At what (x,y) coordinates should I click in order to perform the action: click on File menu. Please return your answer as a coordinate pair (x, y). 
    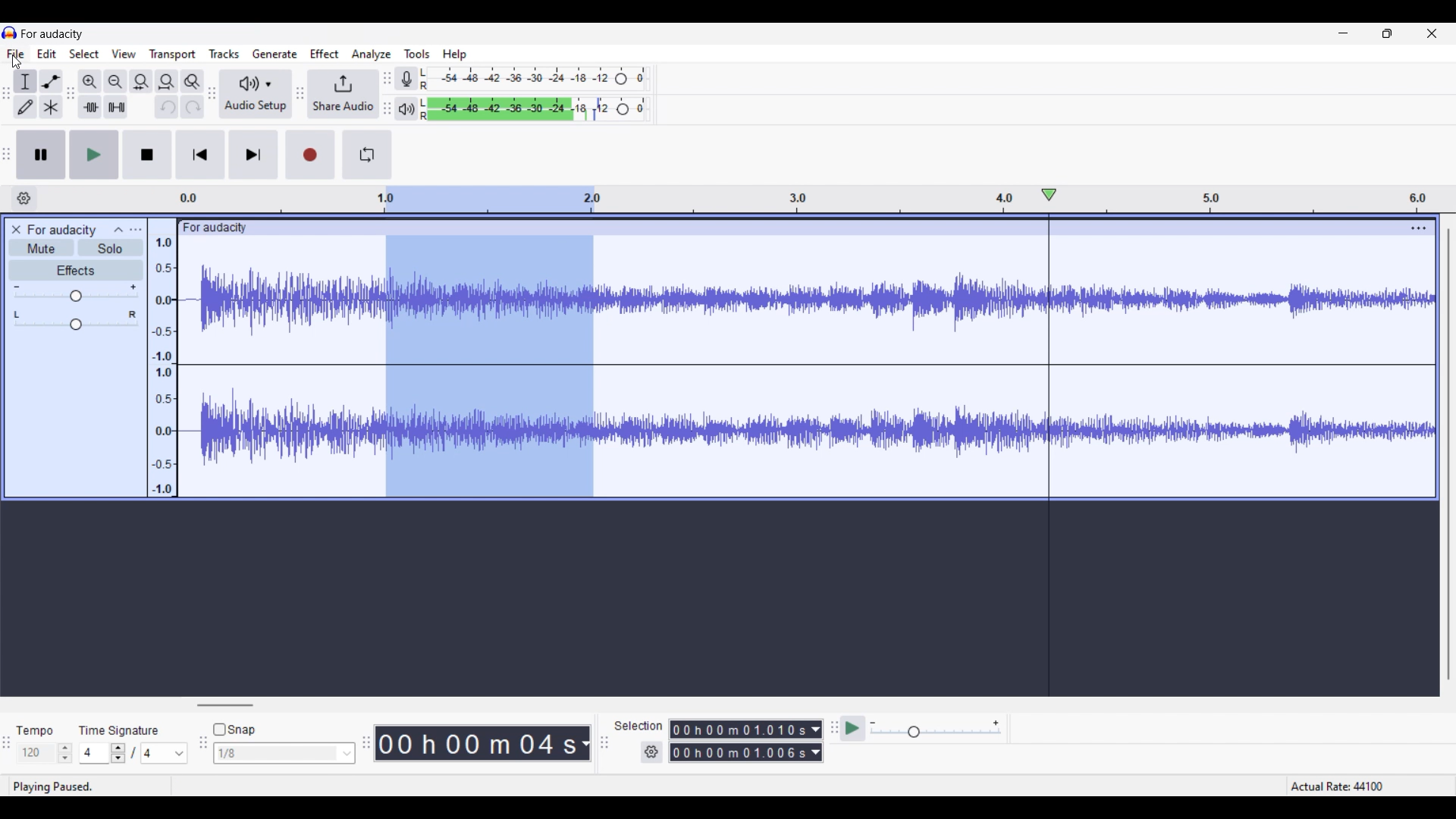
    Looking at the image, I should click on (16, 54).